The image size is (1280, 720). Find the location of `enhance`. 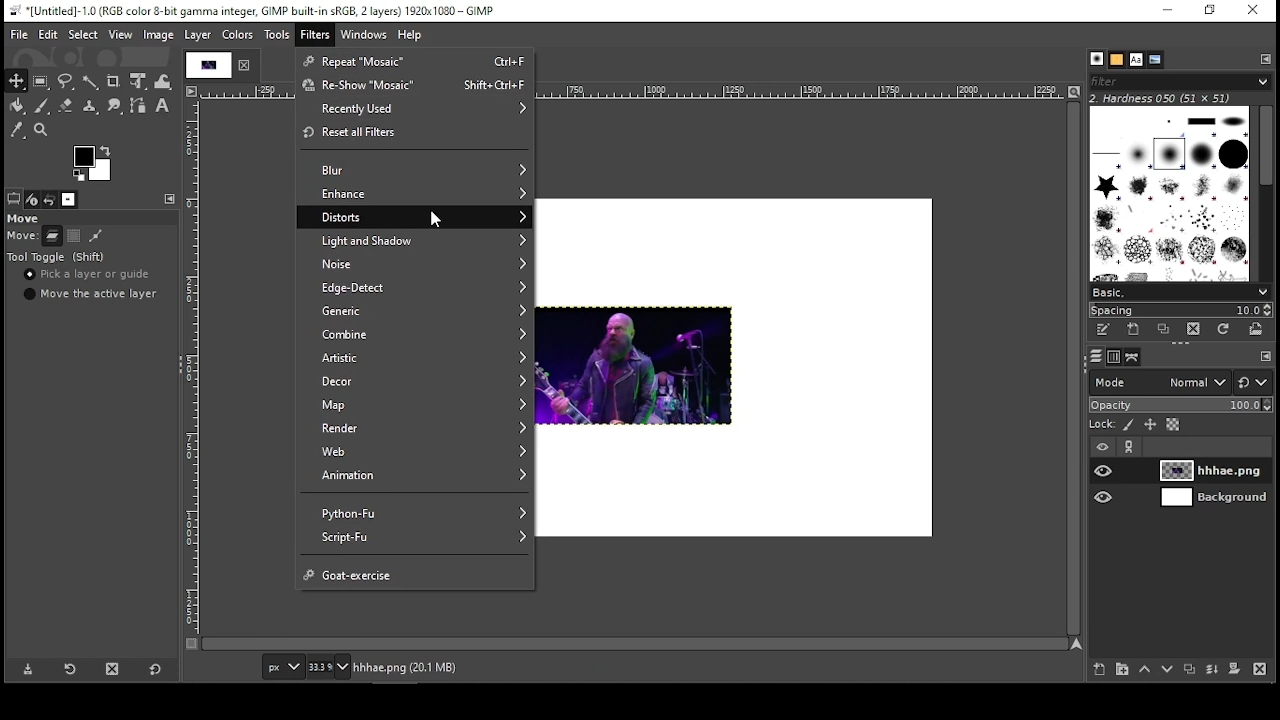

enhance is located at coordinates (417, 194).